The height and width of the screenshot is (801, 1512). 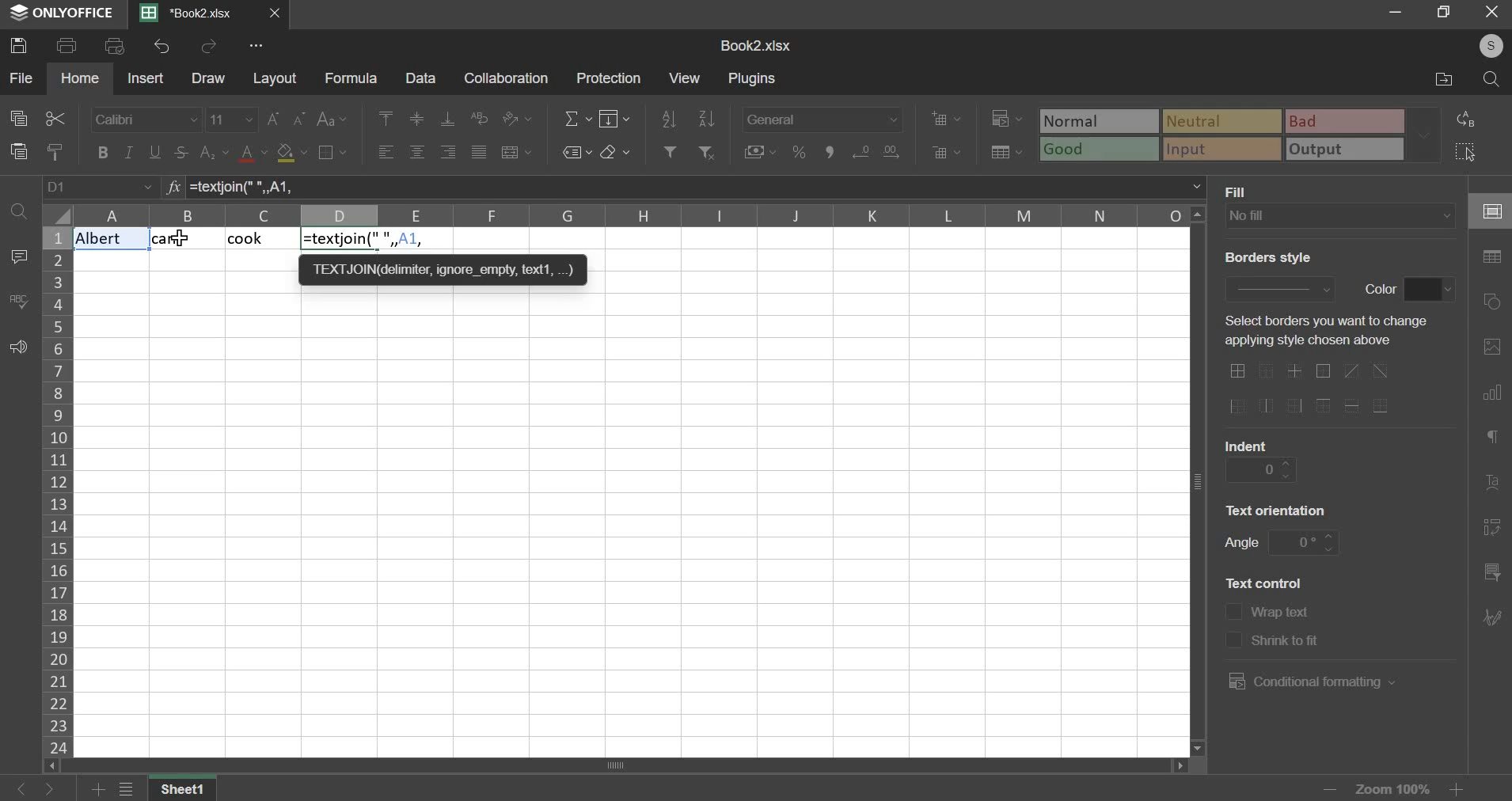 What do you see at coordinates (18, 348) in the screenshot?
I see `feedback` at bounding box center [18, 348].